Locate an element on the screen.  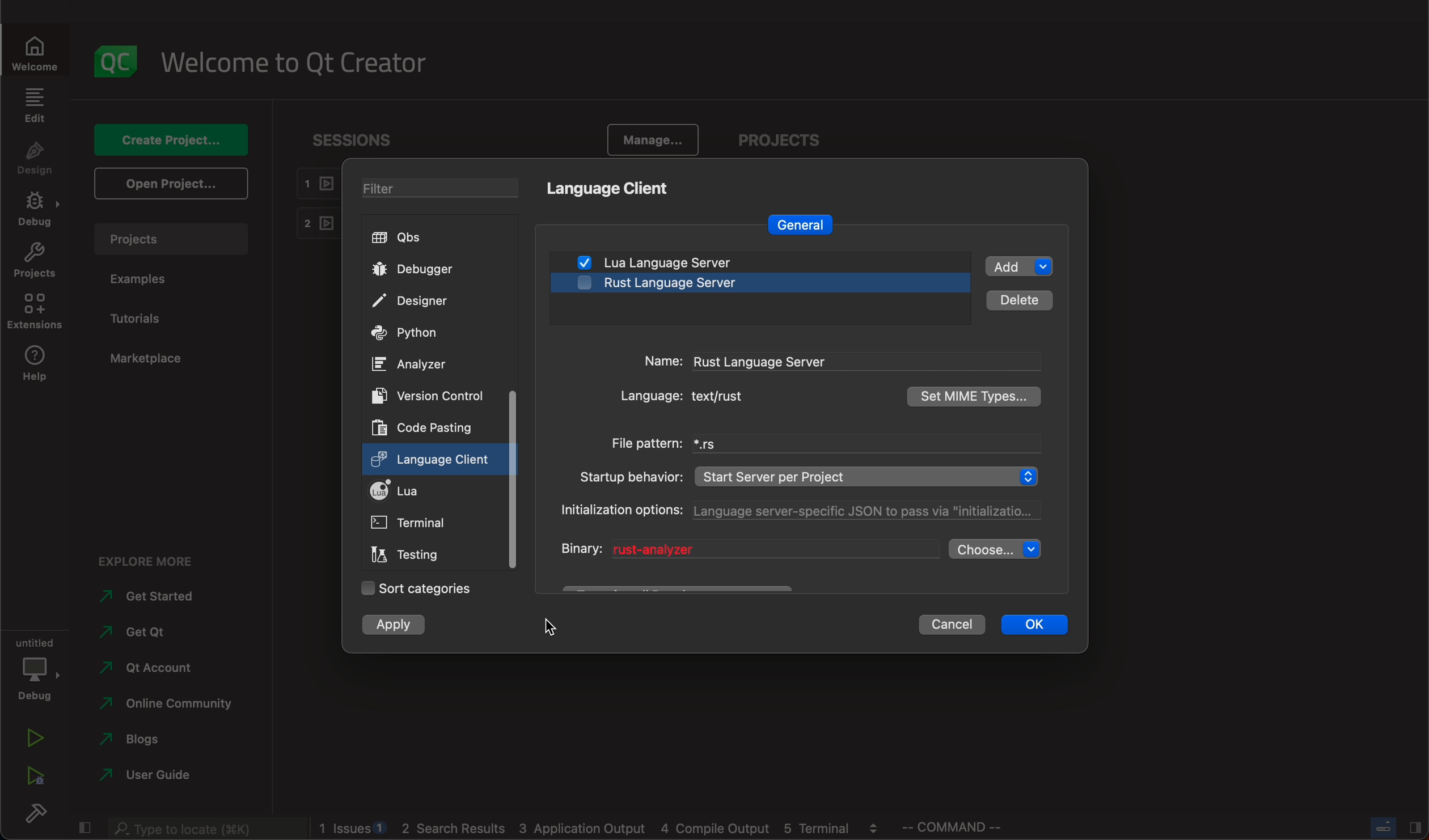
lua is located at coordinates (691, 262).